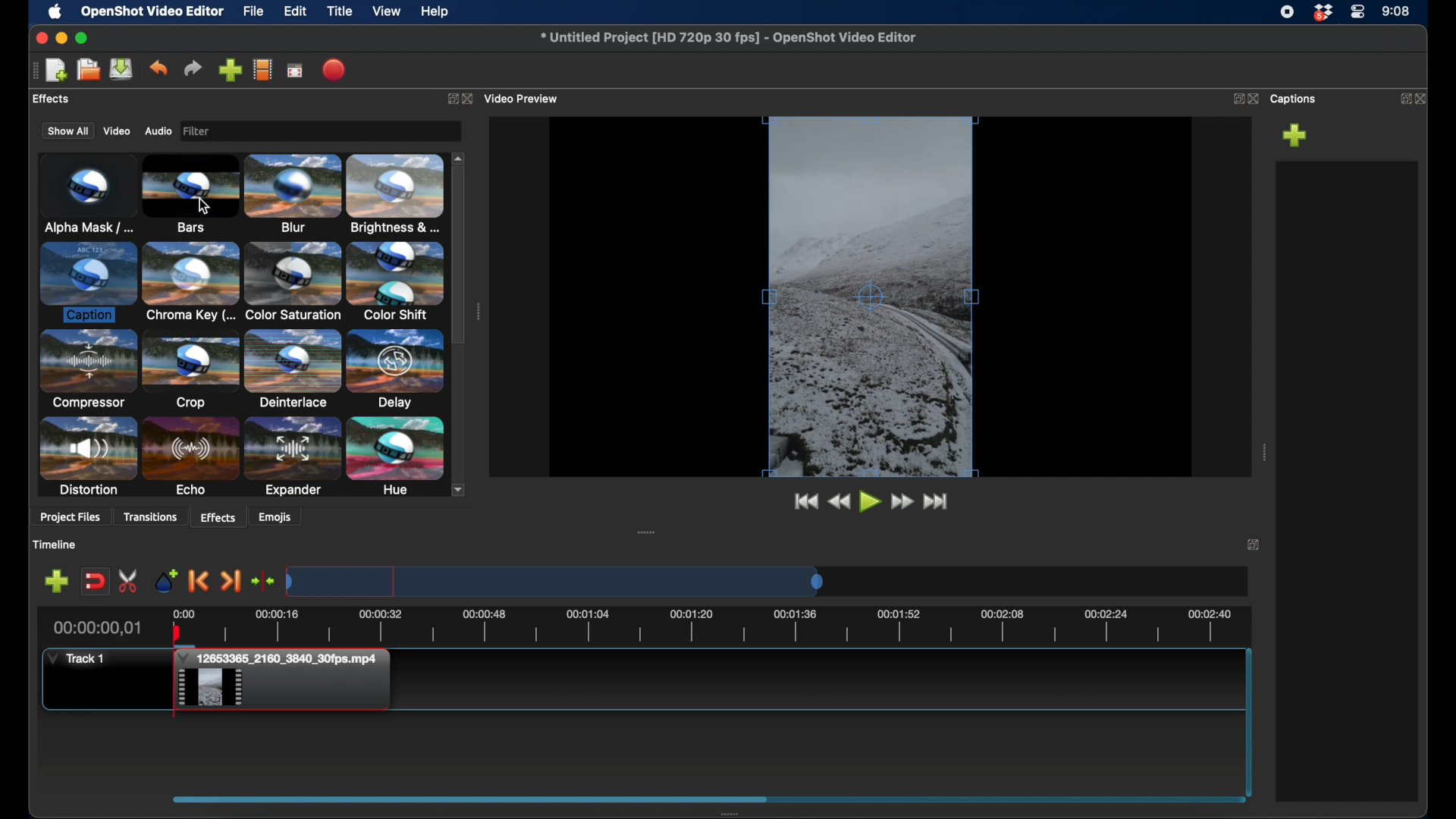 The image size is (1456, 819). I want to click on next marker, so click(231, 581).